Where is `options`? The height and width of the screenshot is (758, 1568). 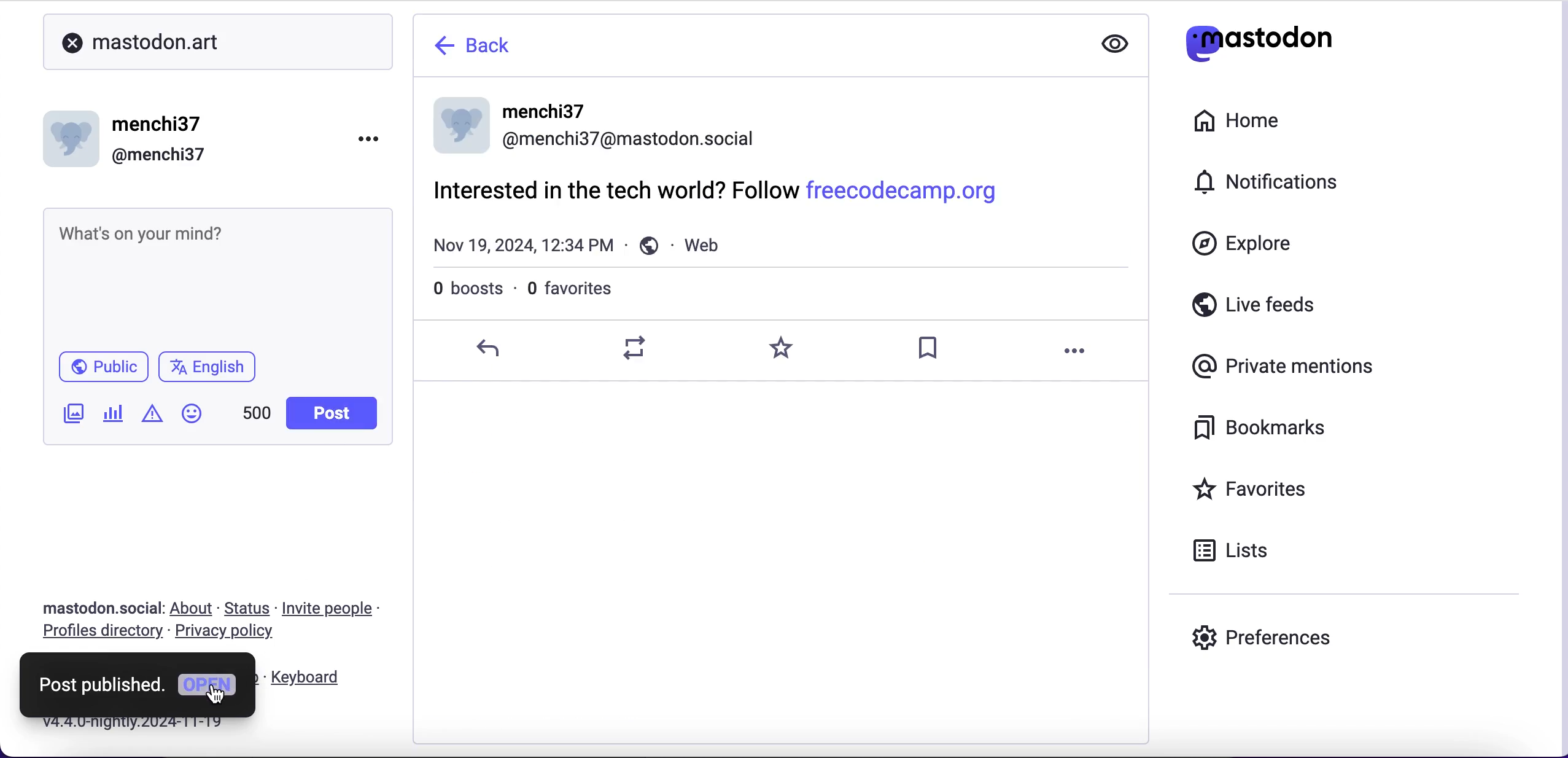
options is located at coordinates (1079, 353).